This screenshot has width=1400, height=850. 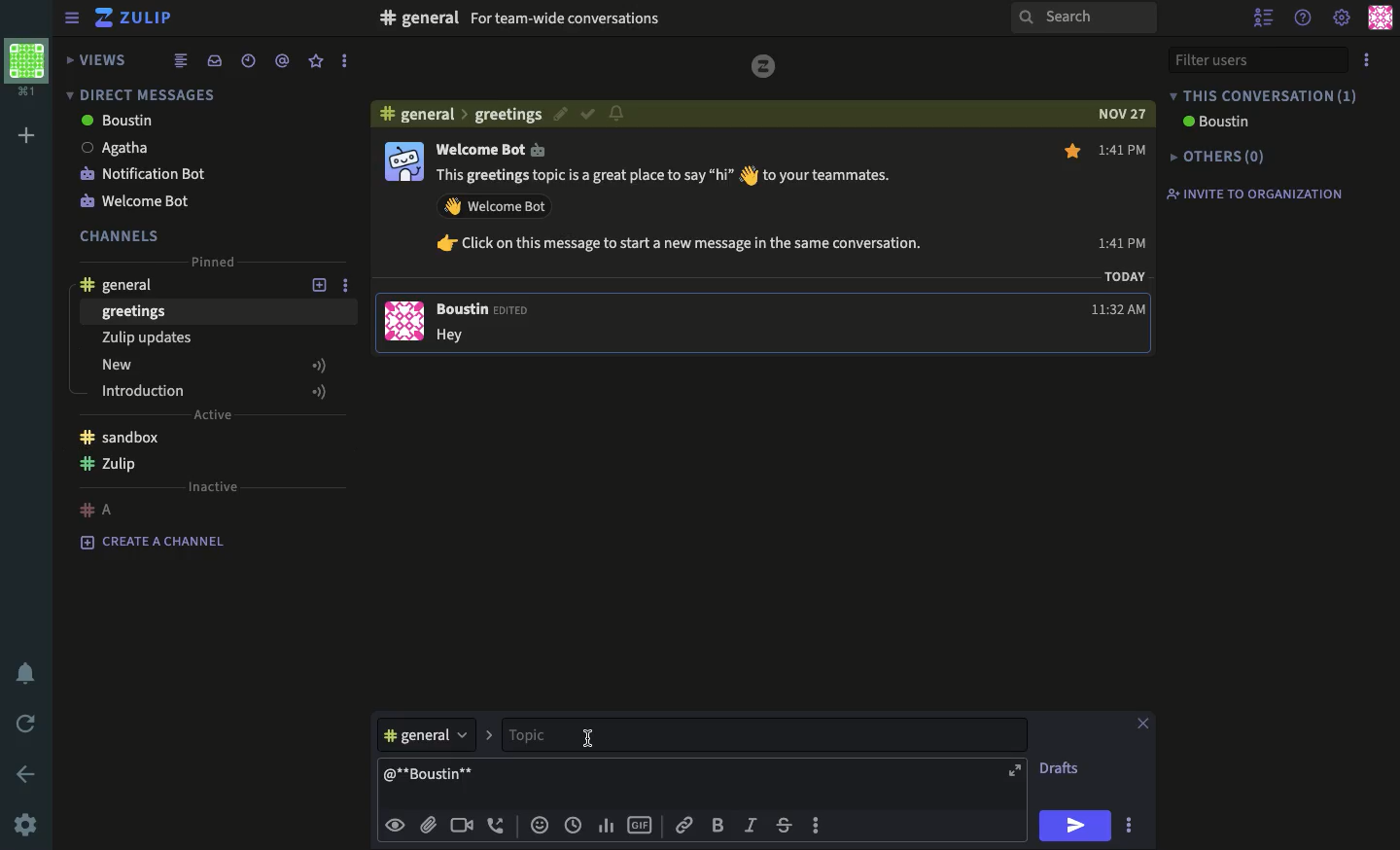 I want to click on options, so click(x=341, y=61).